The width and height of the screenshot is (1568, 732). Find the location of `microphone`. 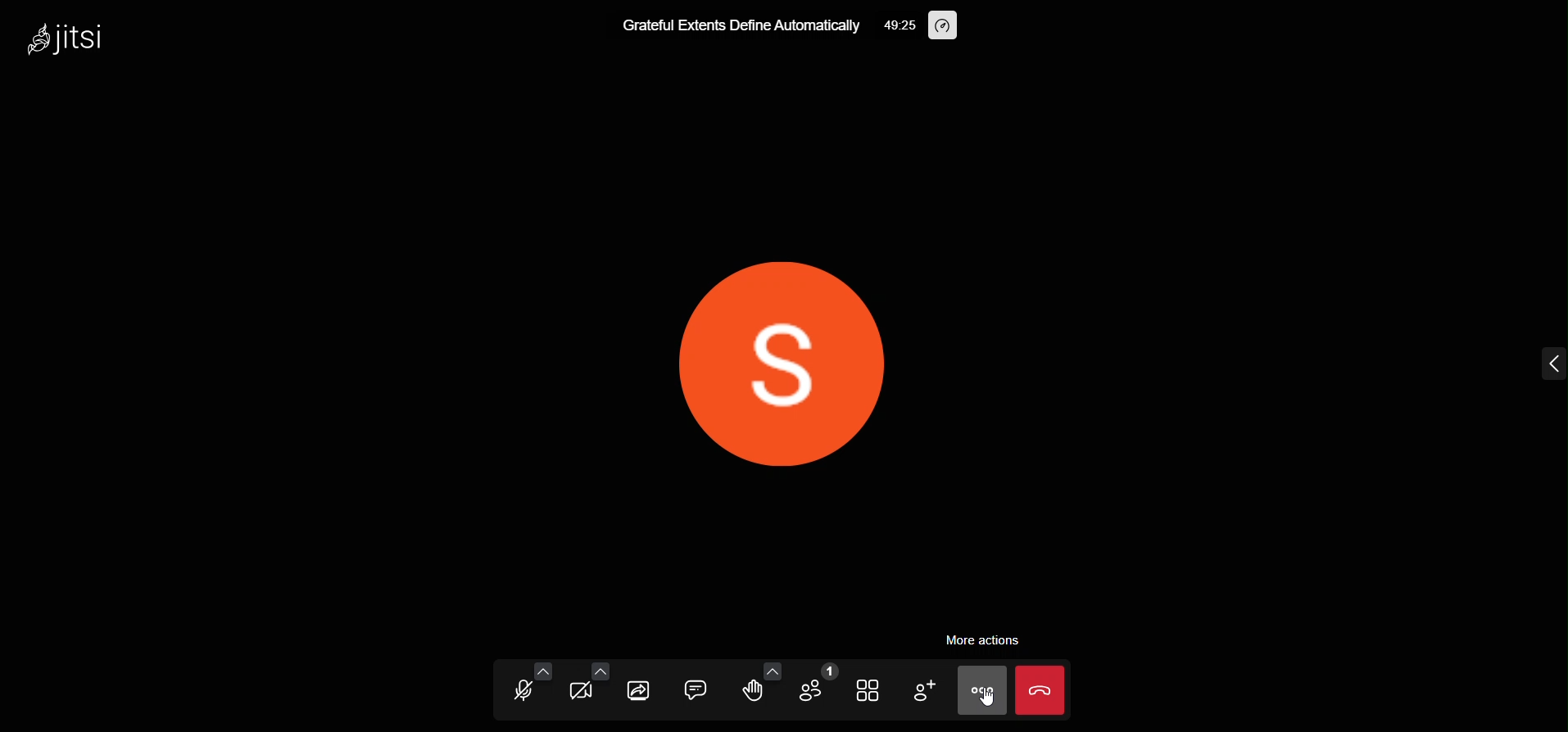

microphone is located at coordinates (523, 690).